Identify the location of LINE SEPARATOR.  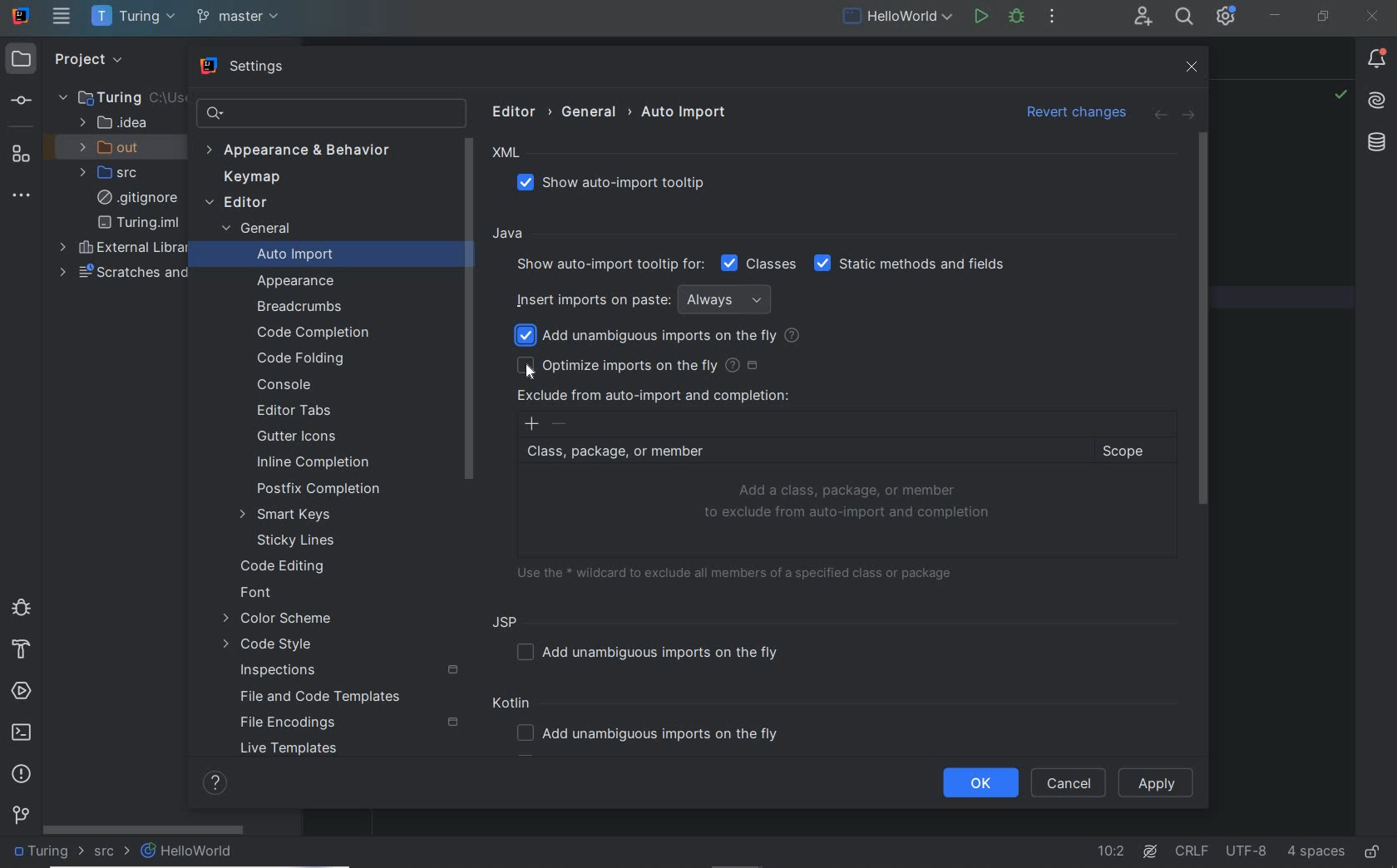
(1192, 848).